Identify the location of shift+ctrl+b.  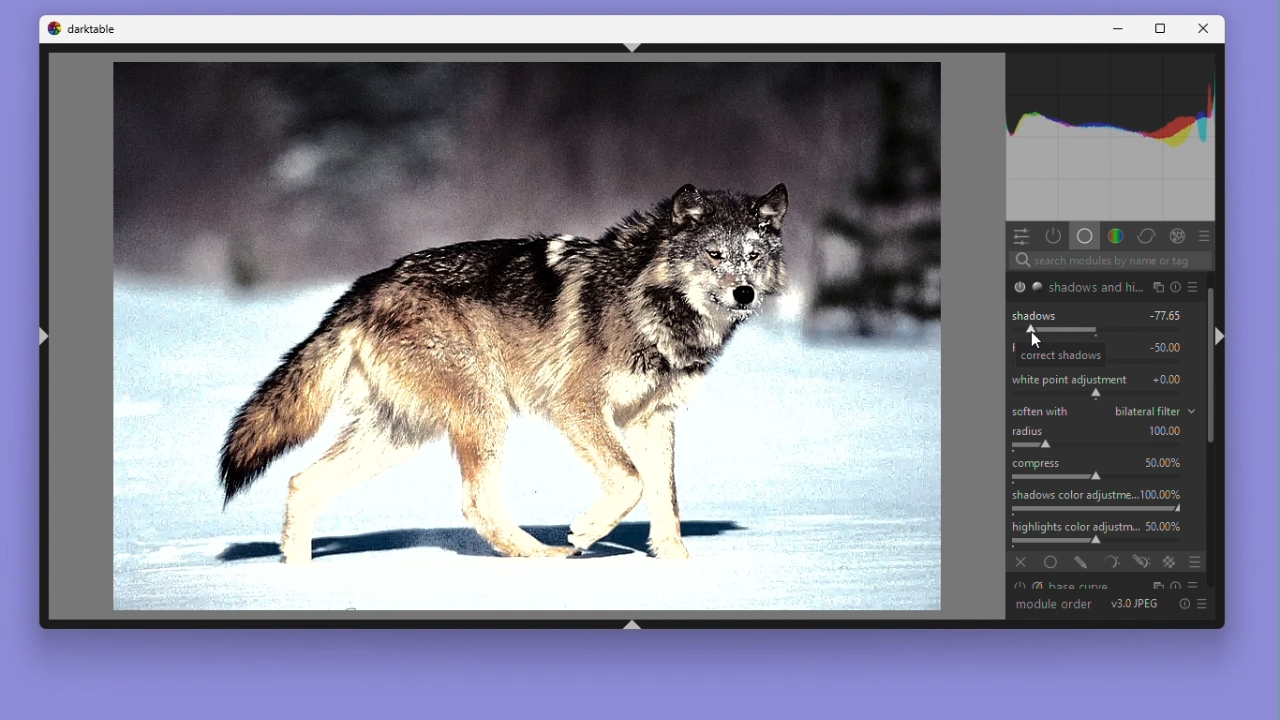
(635, 624).